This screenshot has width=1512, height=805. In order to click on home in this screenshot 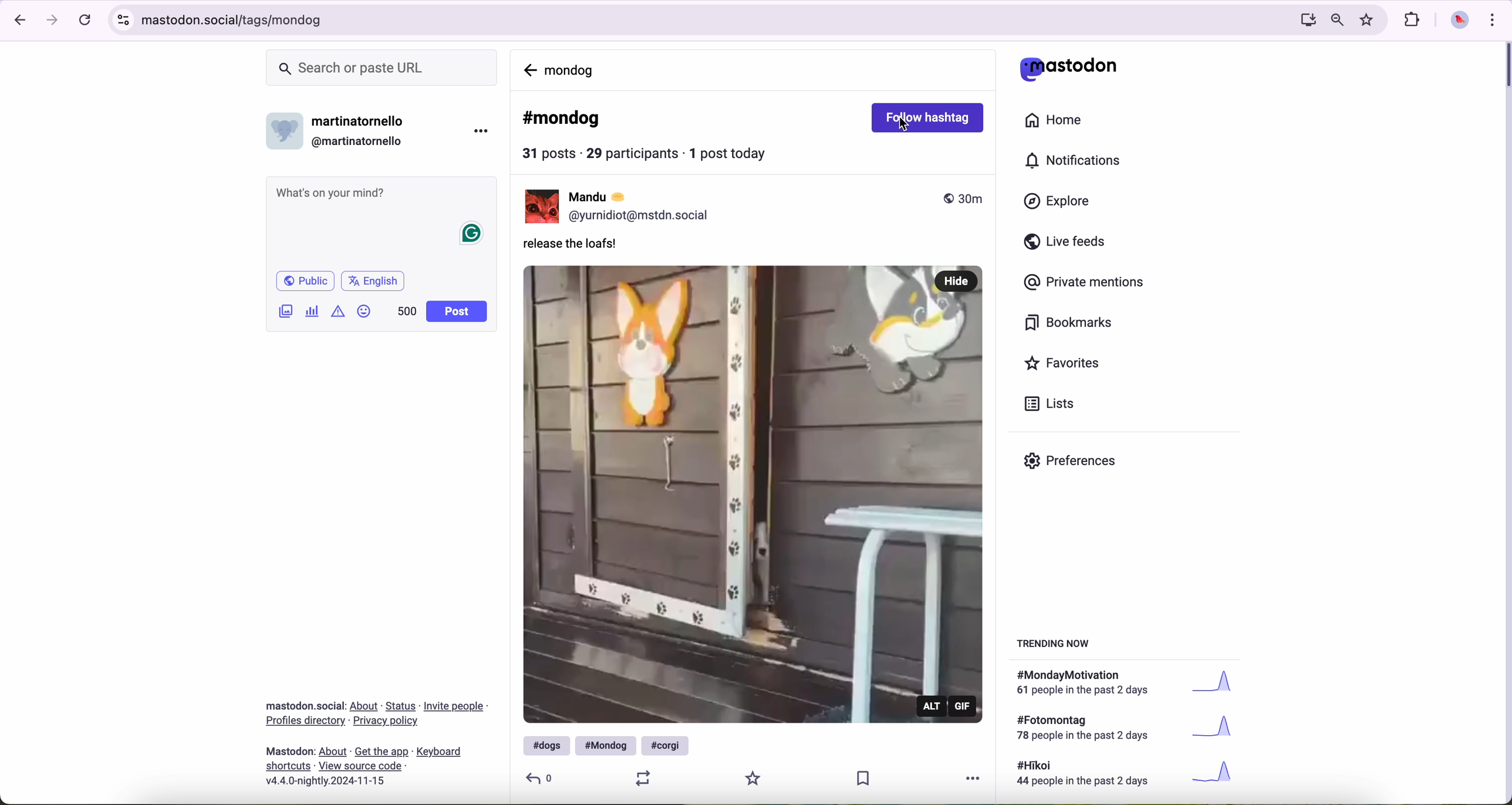, I will do `click(1055, 119)`.